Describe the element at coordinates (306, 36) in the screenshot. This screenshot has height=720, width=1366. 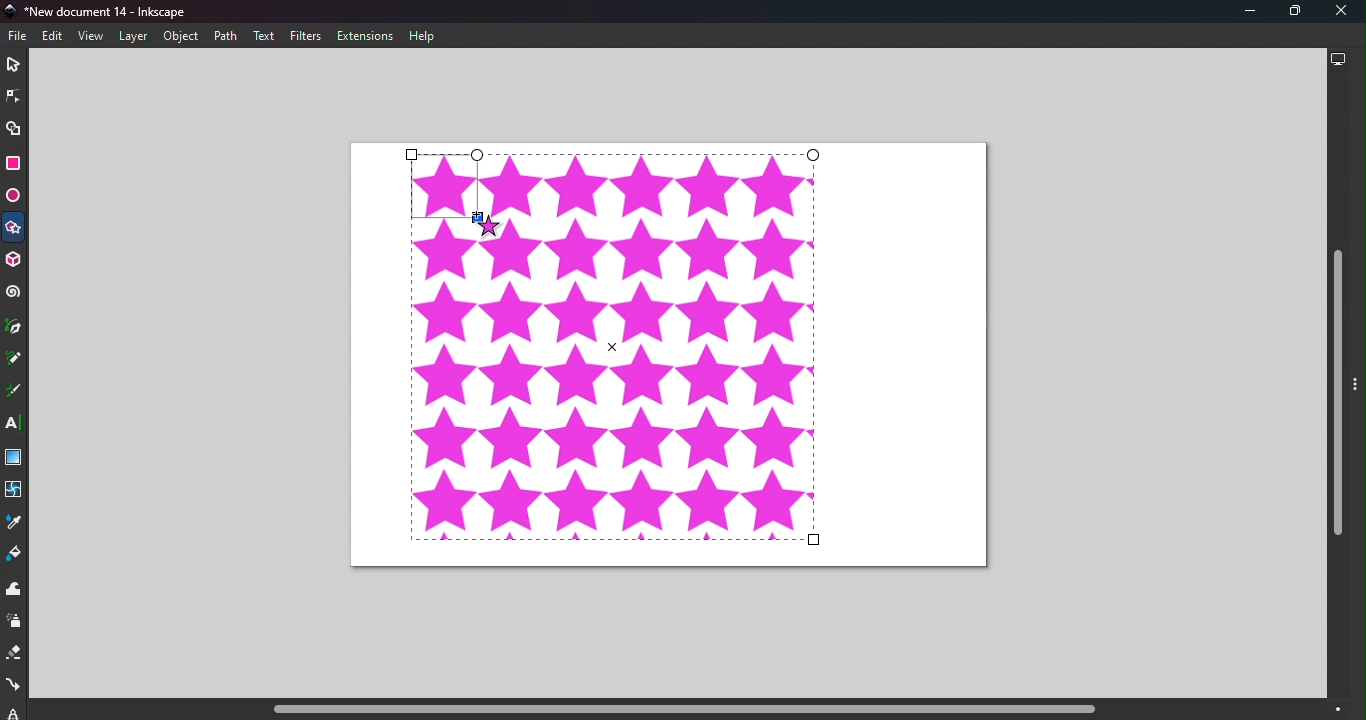
I see `Filters` at that location.